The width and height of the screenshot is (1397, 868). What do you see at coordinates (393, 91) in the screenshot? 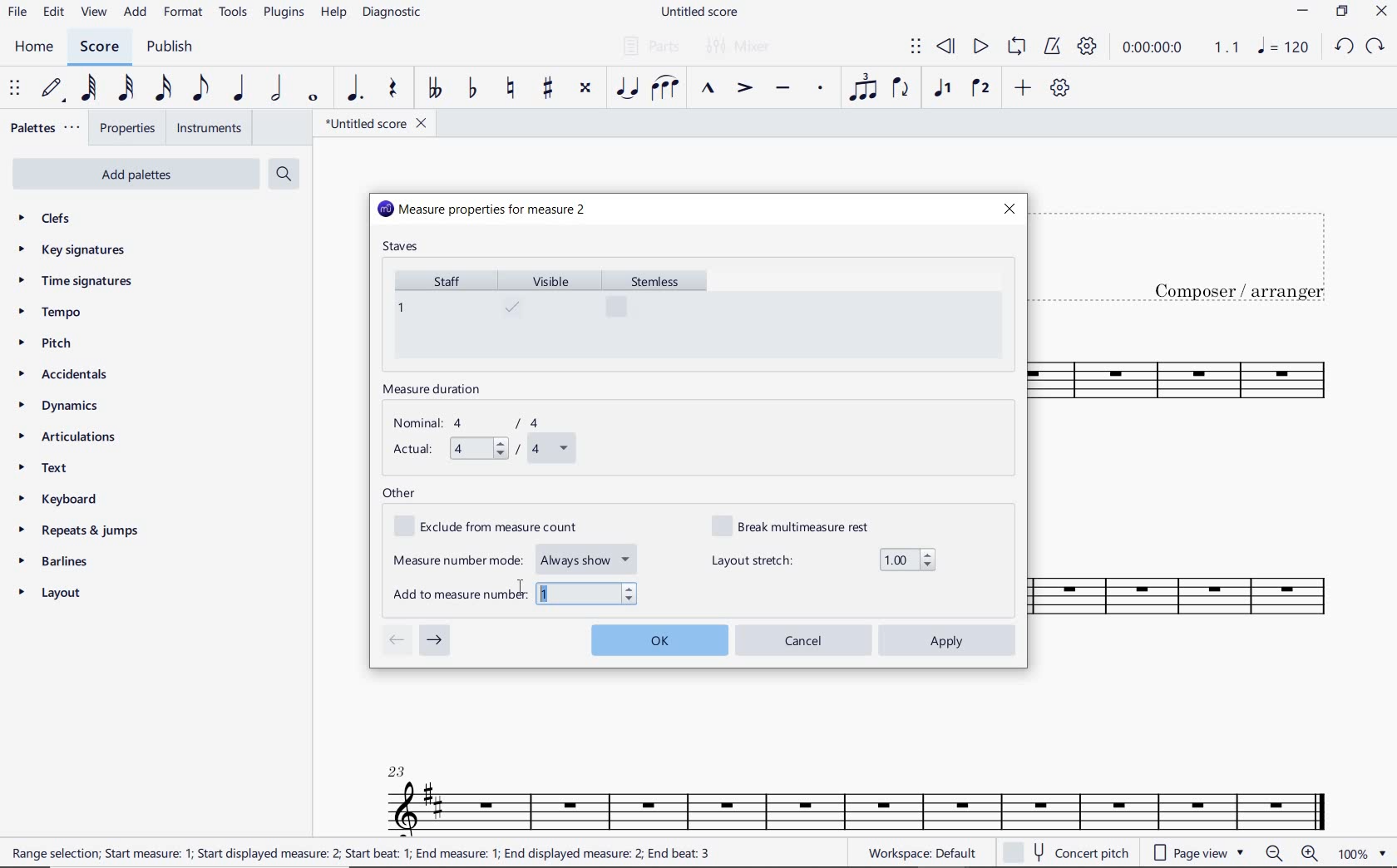
I see `REST` at bounding box center [393, 91].